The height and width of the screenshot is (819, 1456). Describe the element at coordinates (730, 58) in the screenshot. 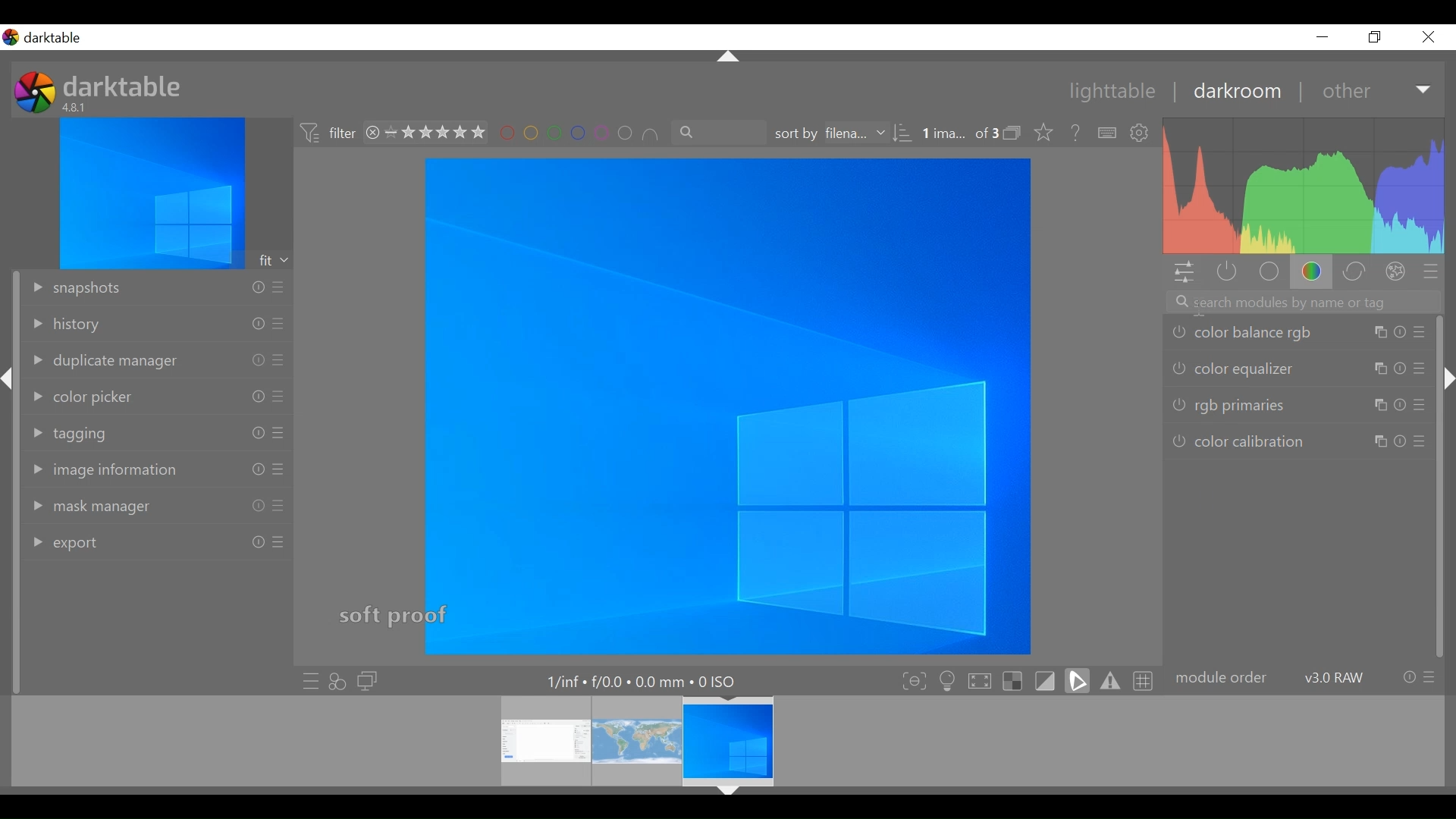

I see `Collapse ` at that location.